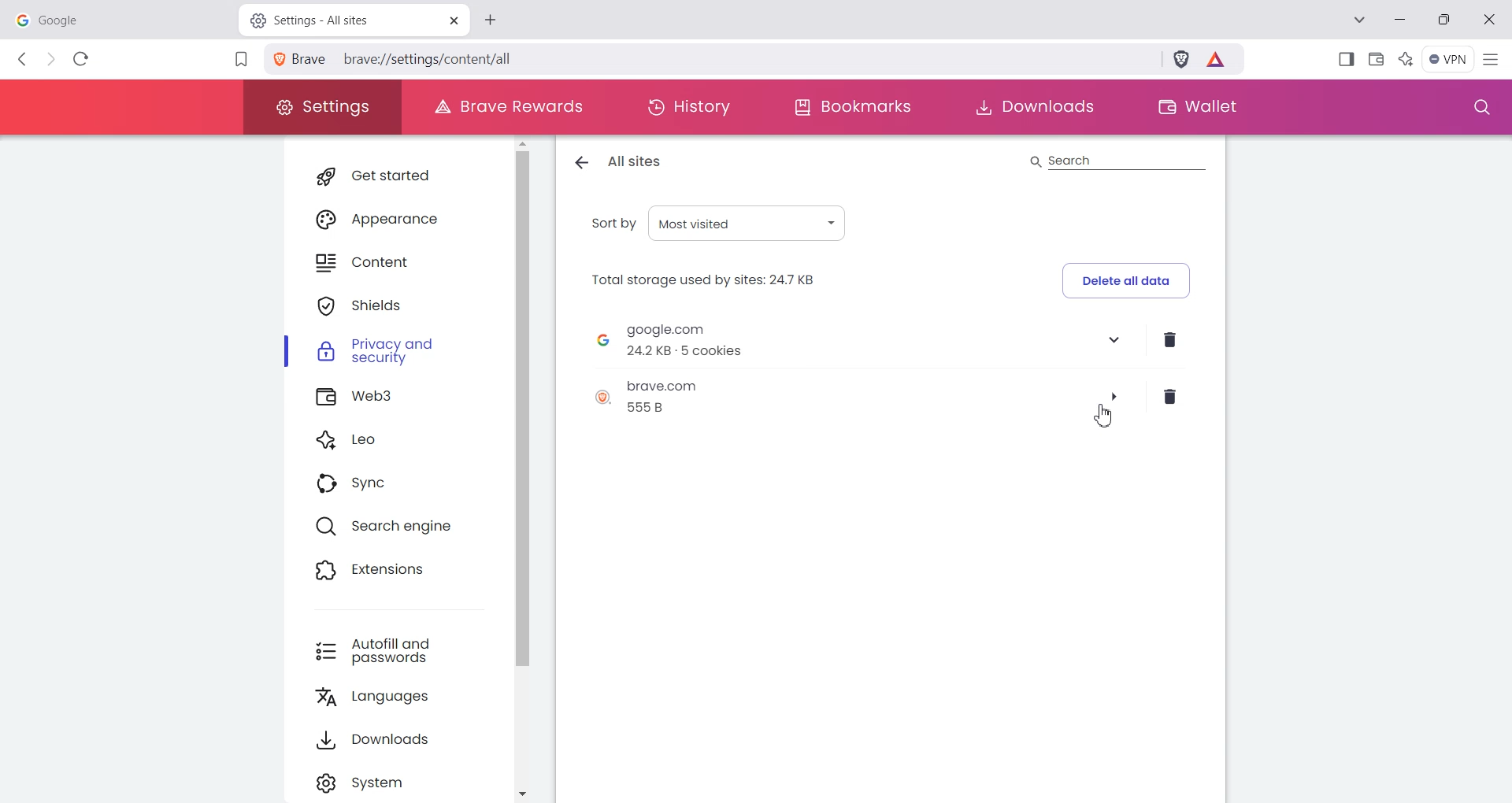 This screenshot has height=803, width=1512. I want to click on View site information, so click(302, 59).